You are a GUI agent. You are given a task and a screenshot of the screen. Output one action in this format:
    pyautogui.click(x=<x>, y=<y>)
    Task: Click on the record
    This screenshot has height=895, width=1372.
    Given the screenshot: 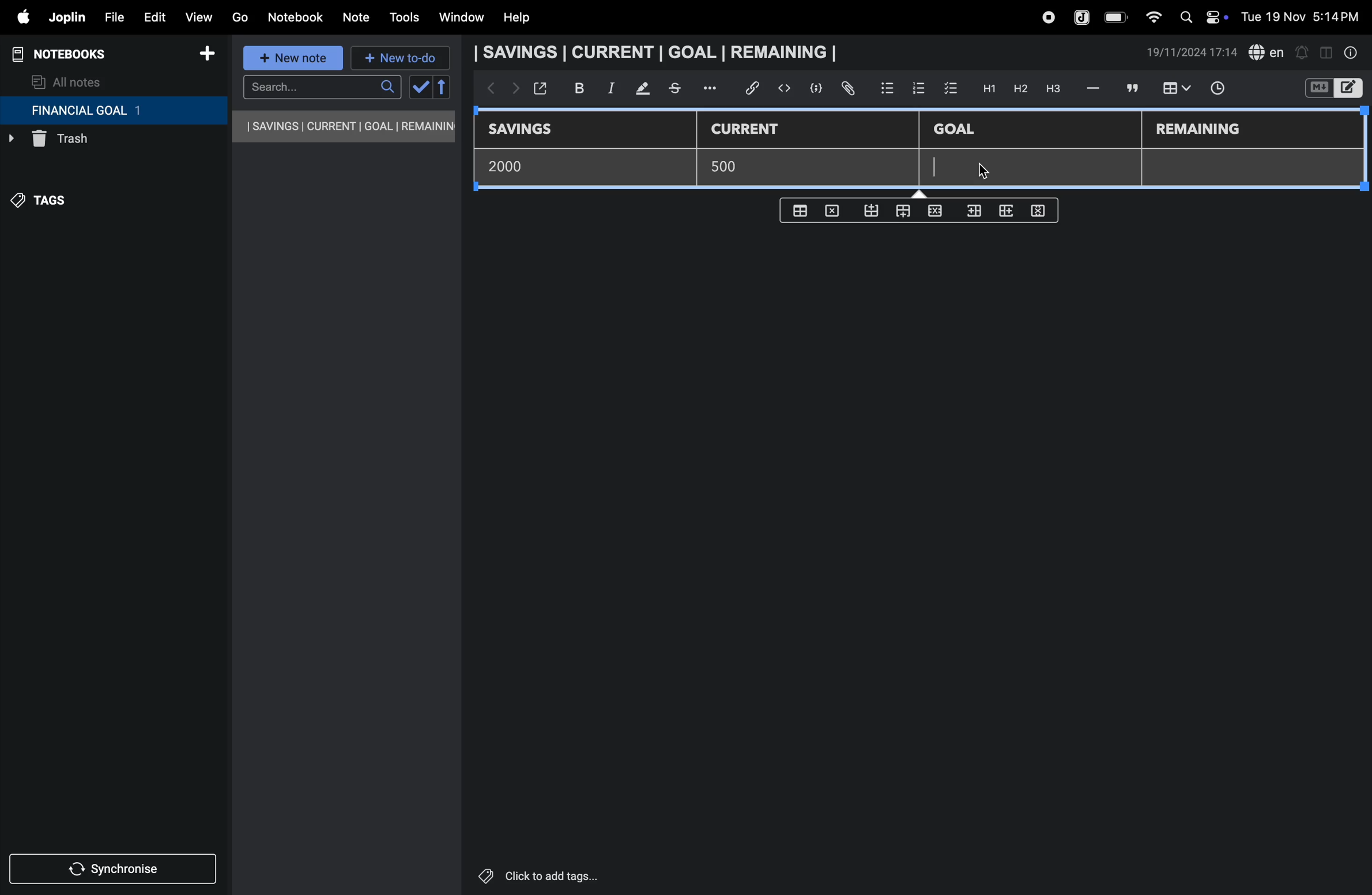 What is the action you would take?
    pyautogui.click(x=1047, y=17)
    